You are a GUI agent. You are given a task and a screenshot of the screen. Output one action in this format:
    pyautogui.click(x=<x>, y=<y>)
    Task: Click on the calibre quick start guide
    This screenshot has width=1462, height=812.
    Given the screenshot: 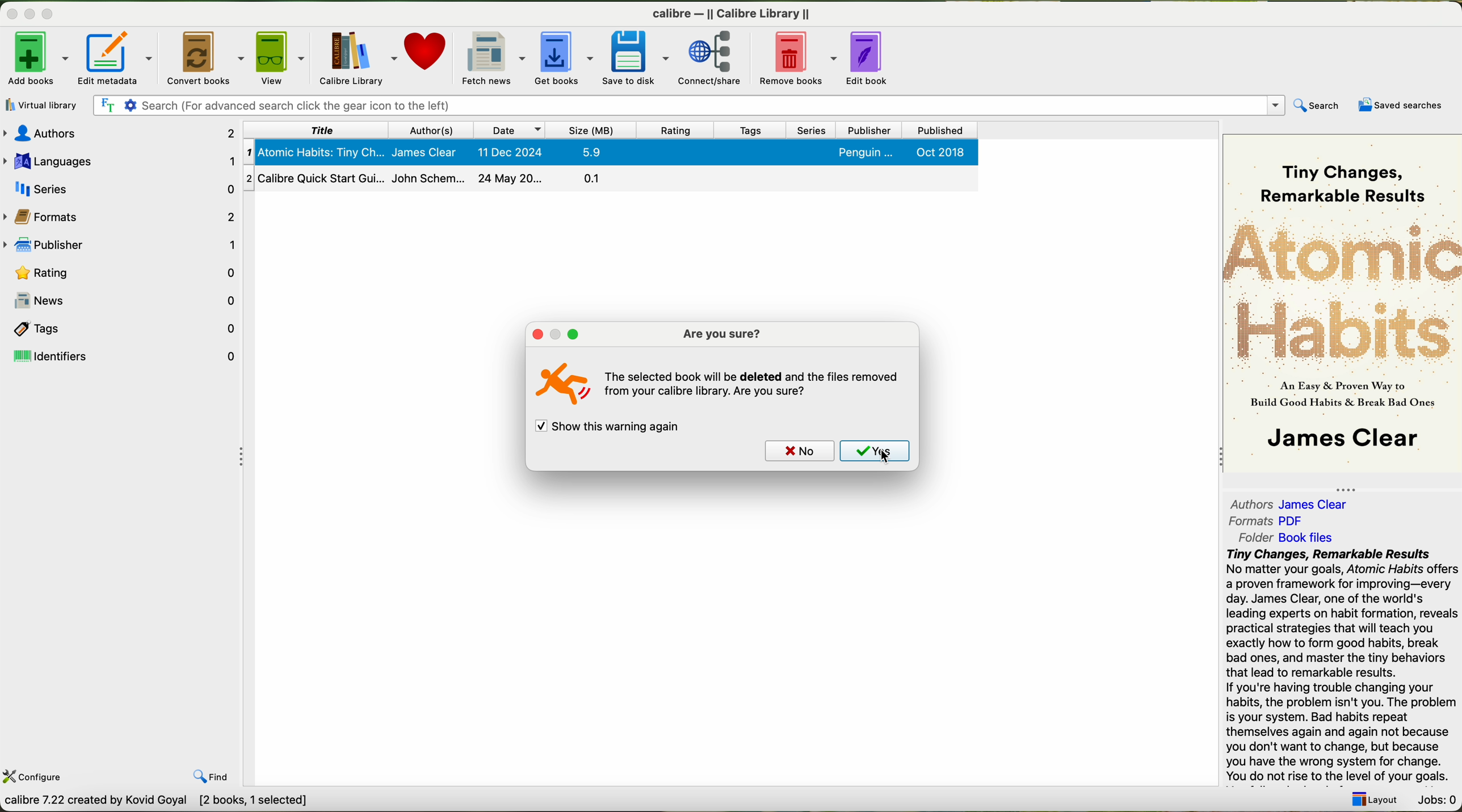 What is the action you would take?
    pyautogui.click(x=610, y=178)
    